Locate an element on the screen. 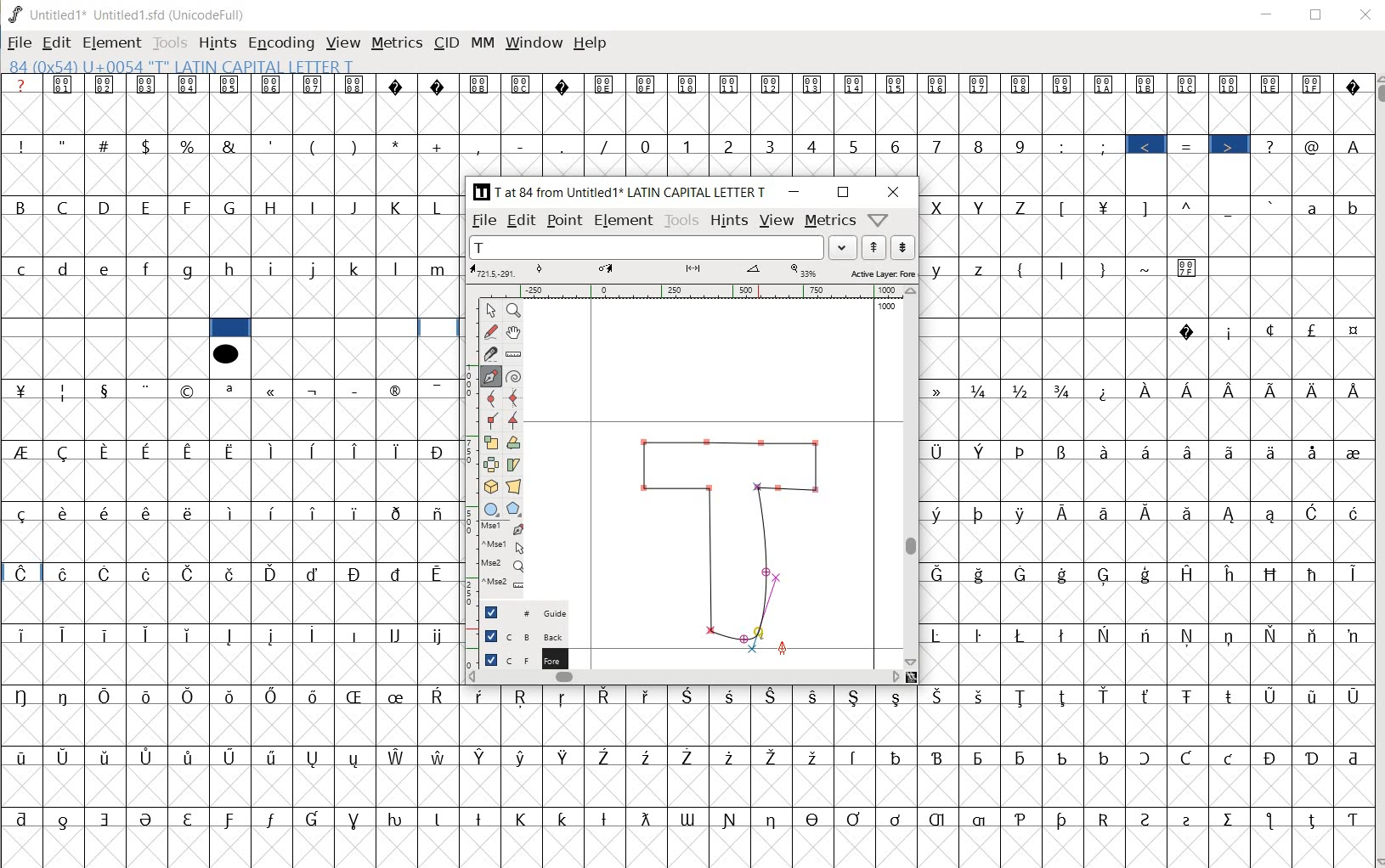 The height and width of the screenshot is (868, 1385). g is located at coordinates (189, 270).